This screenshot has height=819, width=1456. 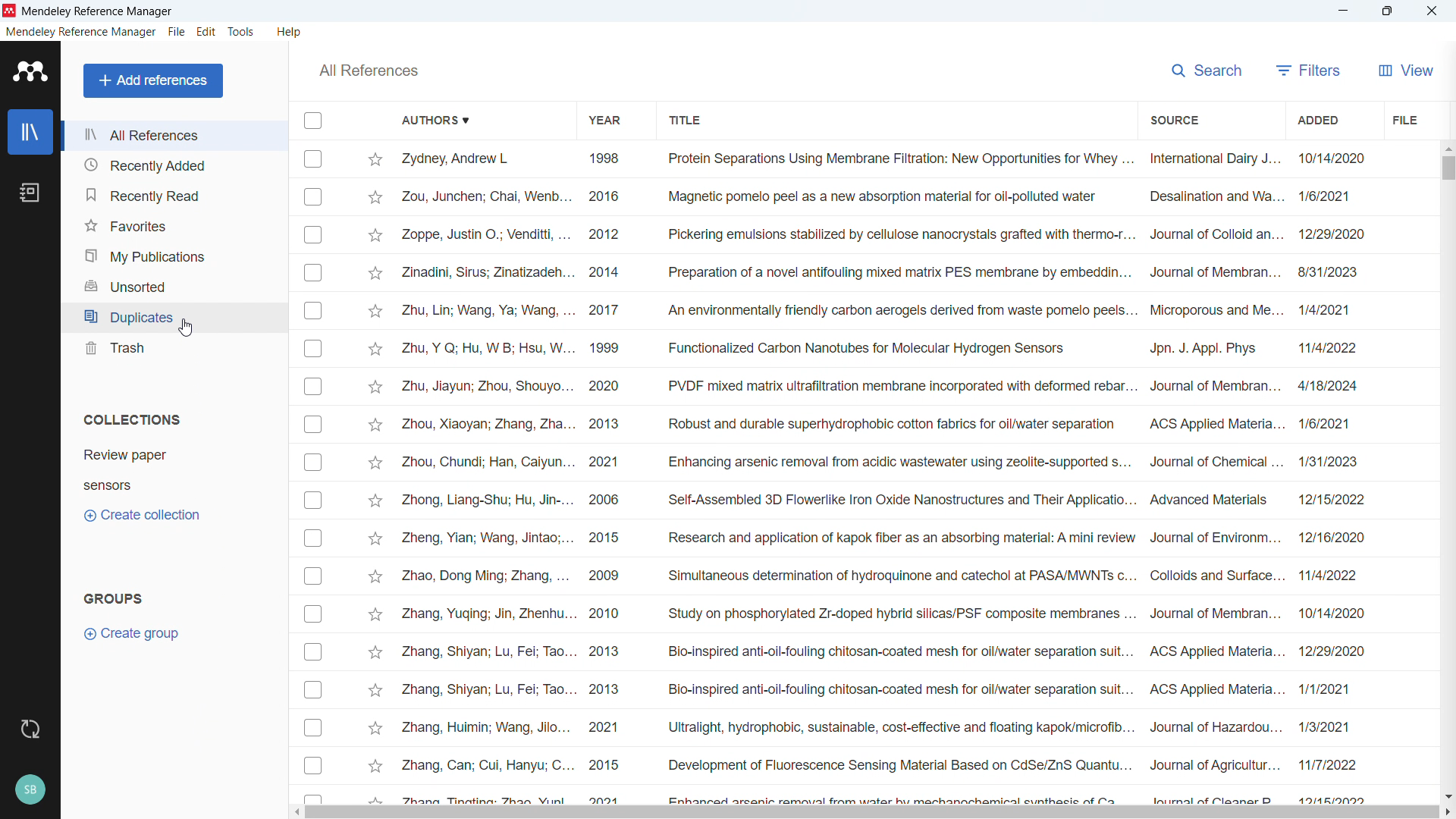 What do you see at coordinates (1447, 796) in the screenshot?
I see `Scroll down ` at bounding box center [1447, 796].